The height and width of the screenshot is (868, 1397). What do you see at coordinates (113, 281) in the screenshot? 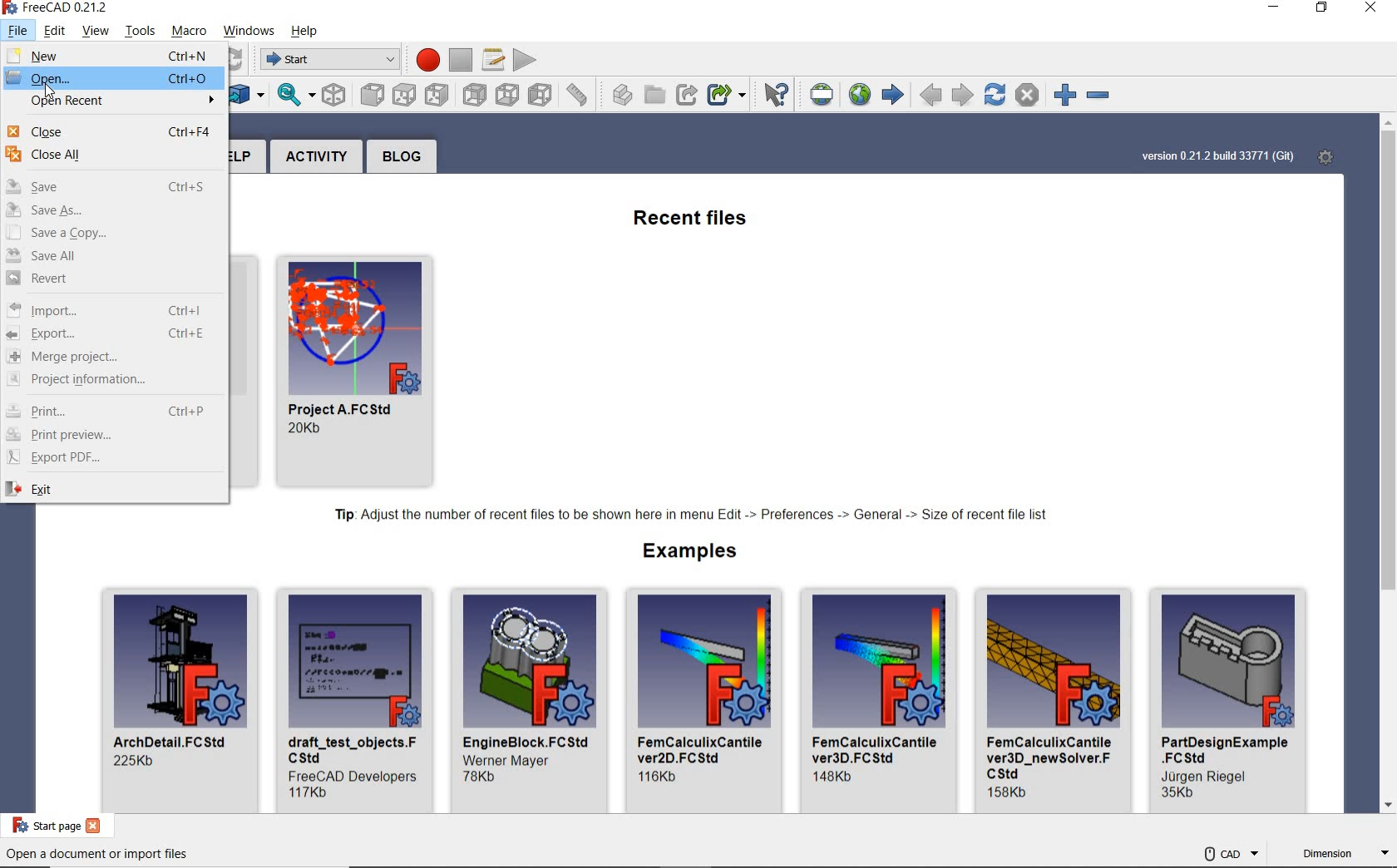
I see `REVERT` at bounding box center [113, 281].